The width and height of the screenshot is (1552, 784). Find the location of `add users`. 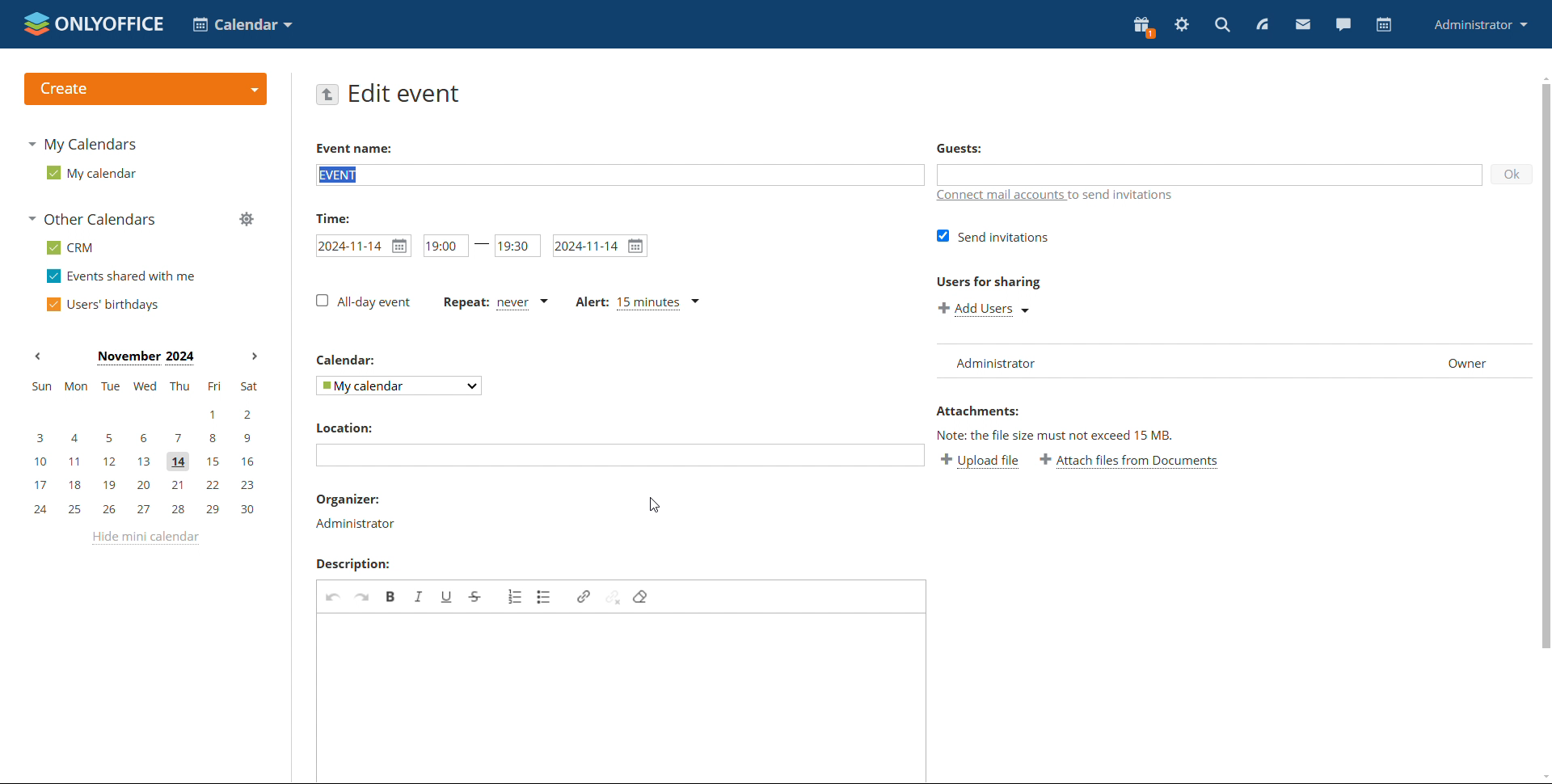

add users is located at coordinates (985, 309).